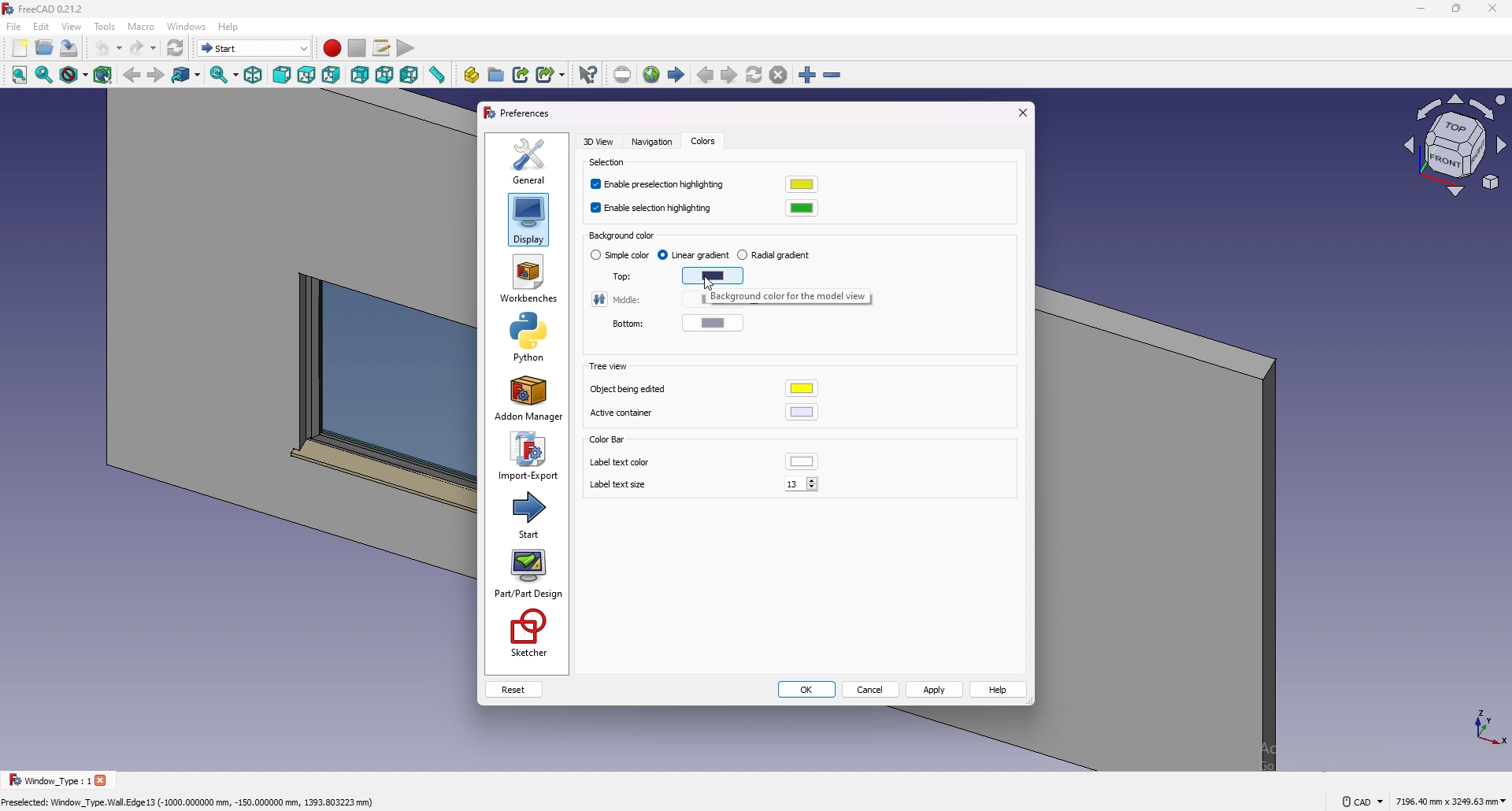 The width and height of the screenshot is (1512, 811). Describe the element at coordinates (1492, 9) in the screenshot. I see `close` at that location.